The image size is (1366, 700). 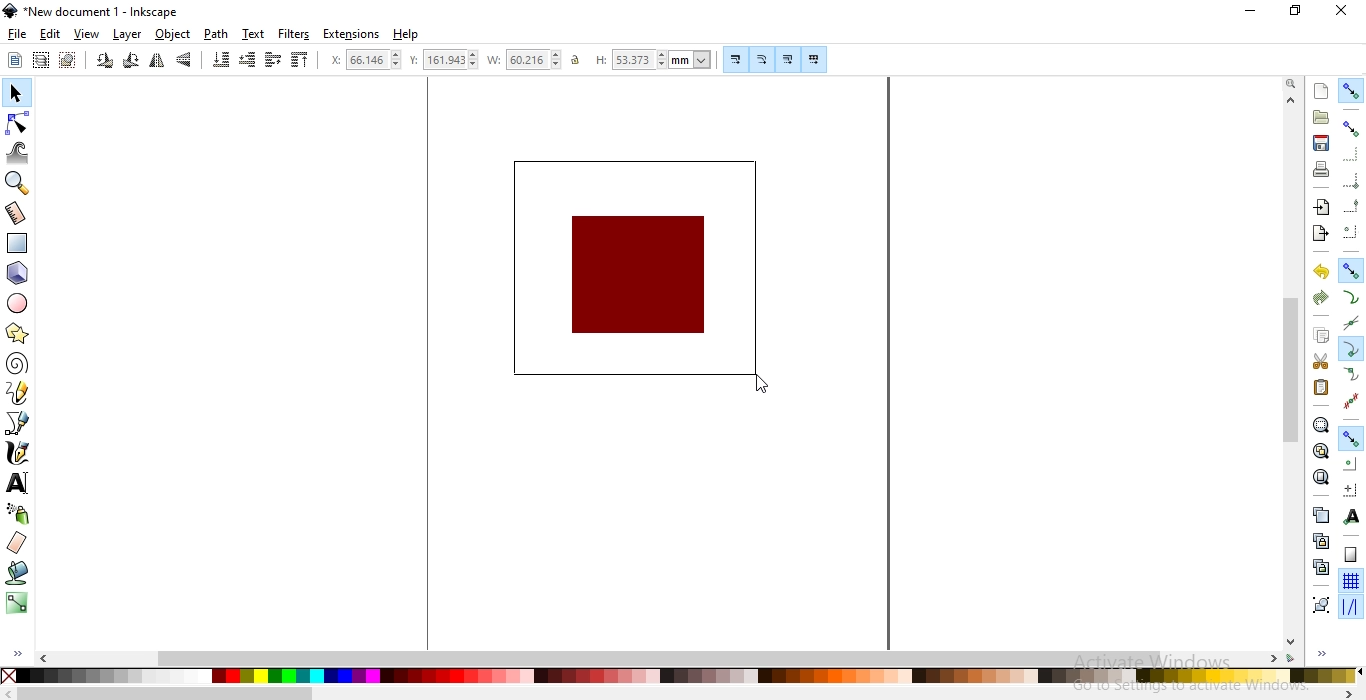 What do you see at coordinates (1349, 515) in the screenshot?
I see `snap text anchors and baselines` at bounding box center [1349, 515].